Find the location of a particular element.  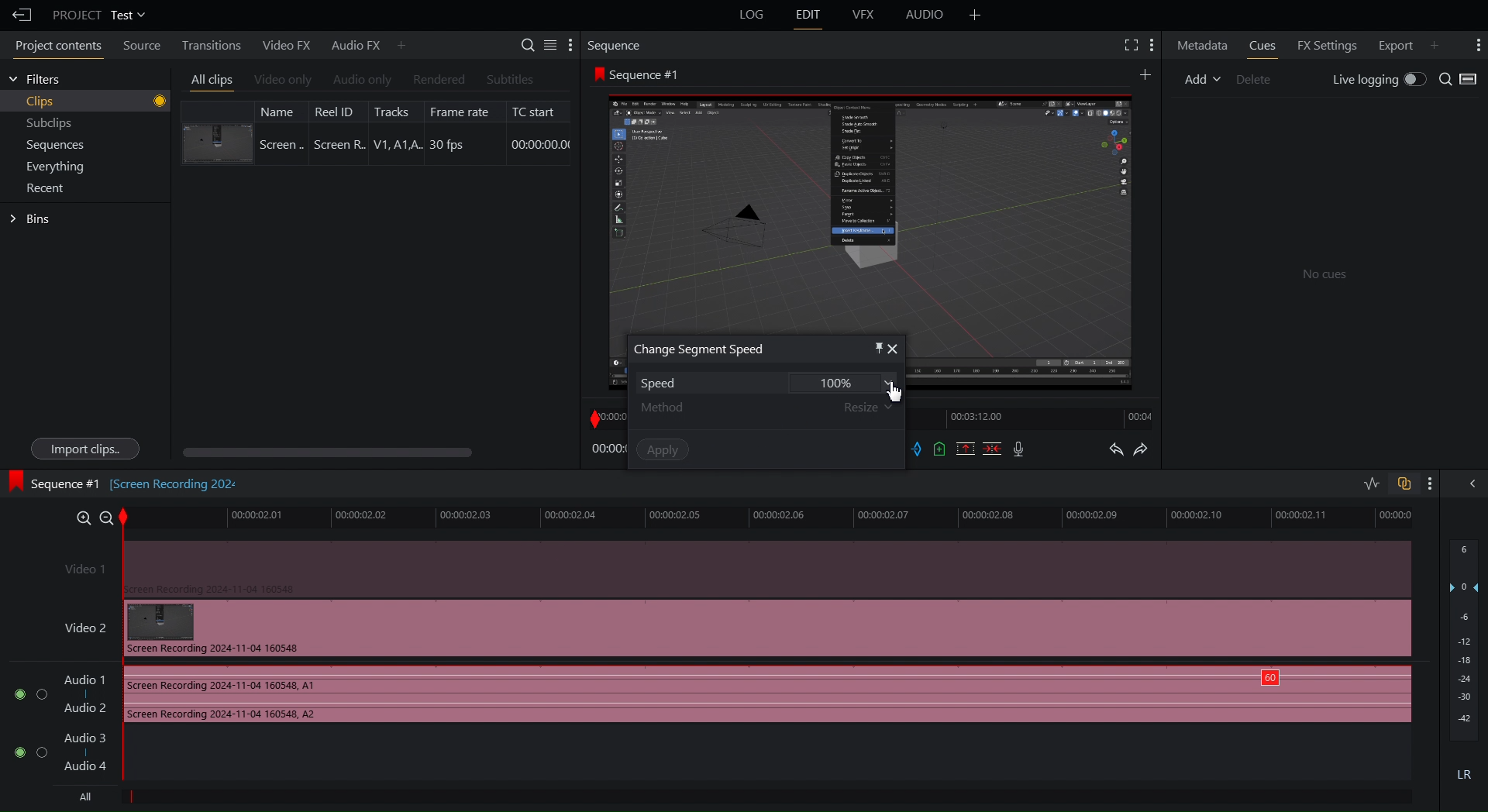

Rendered is located at coordinates (437, 80).